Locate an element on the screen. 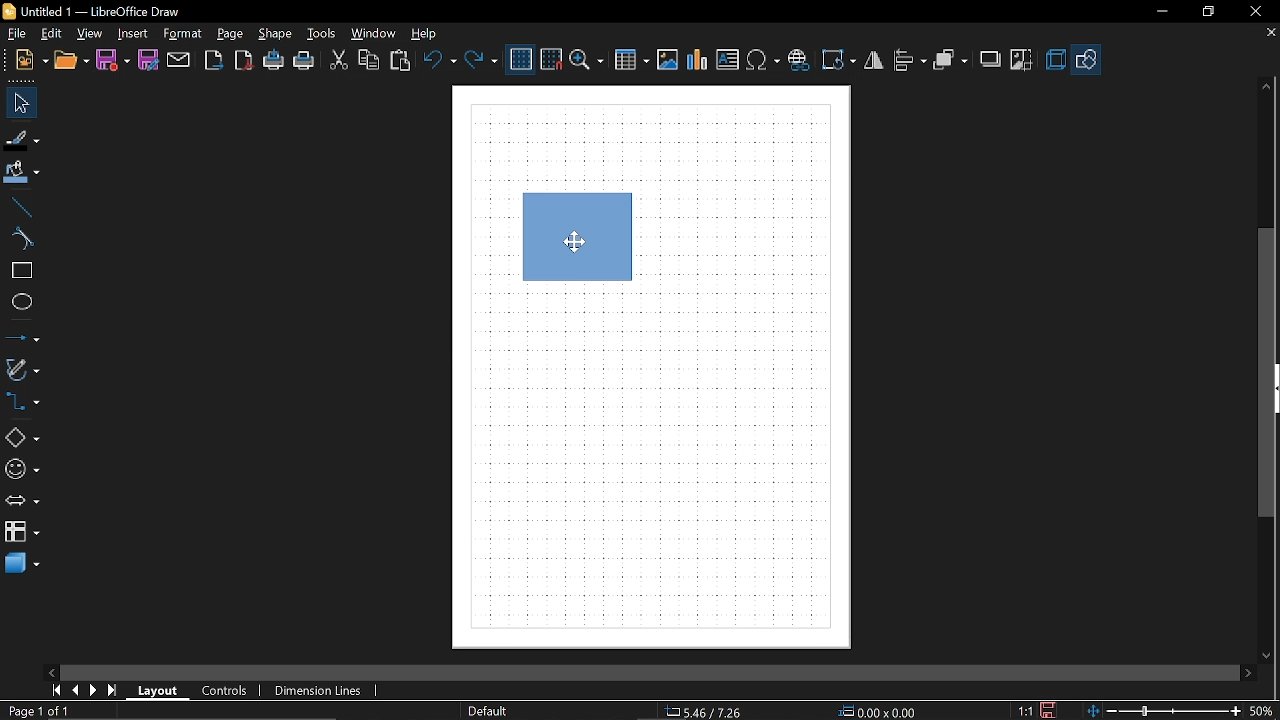 The image size is (1280, 720). previous page is located at coordinates (75, 691).